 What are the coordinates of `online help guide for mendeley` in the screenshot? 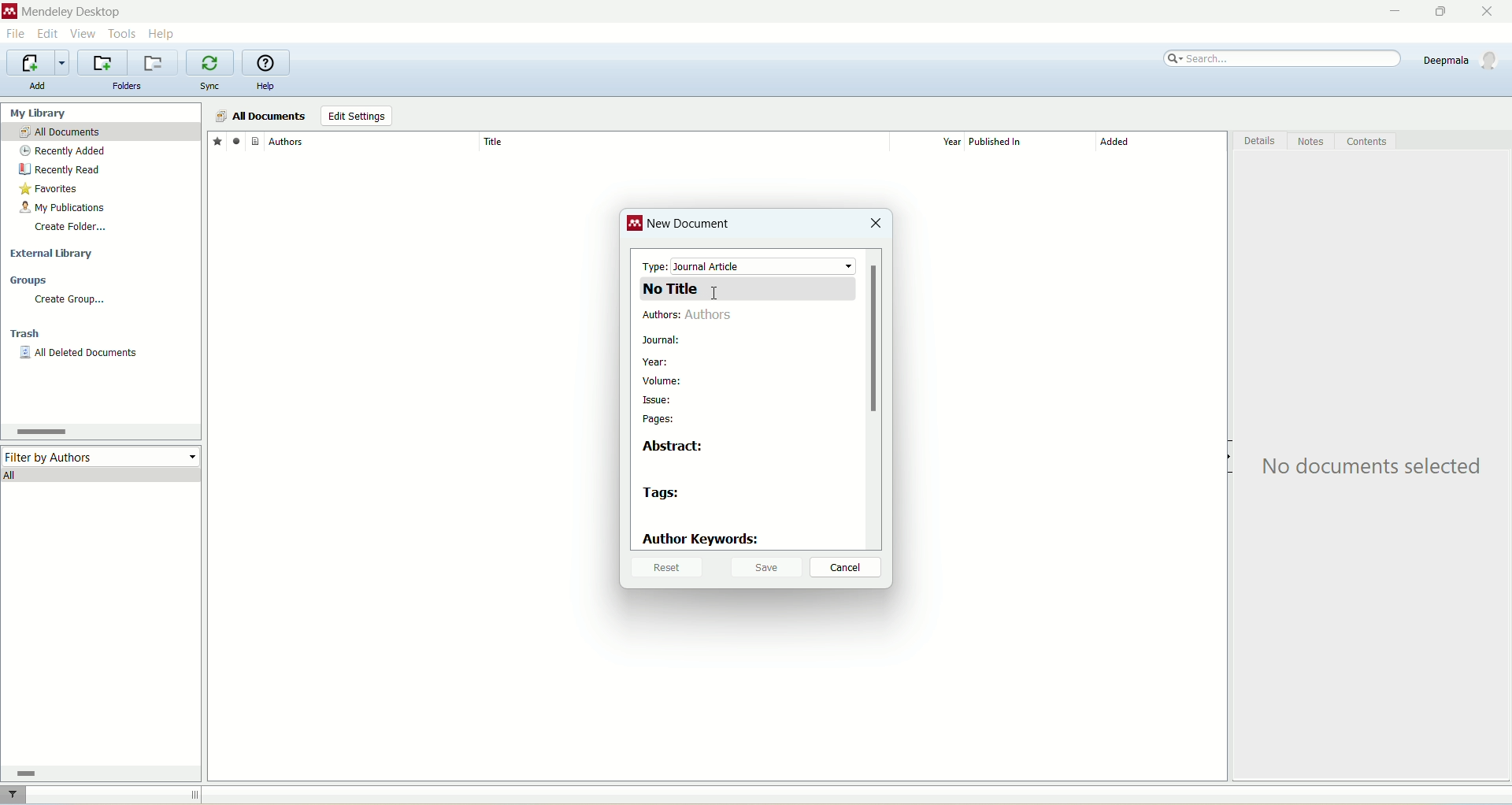 It's located at (267, 63).